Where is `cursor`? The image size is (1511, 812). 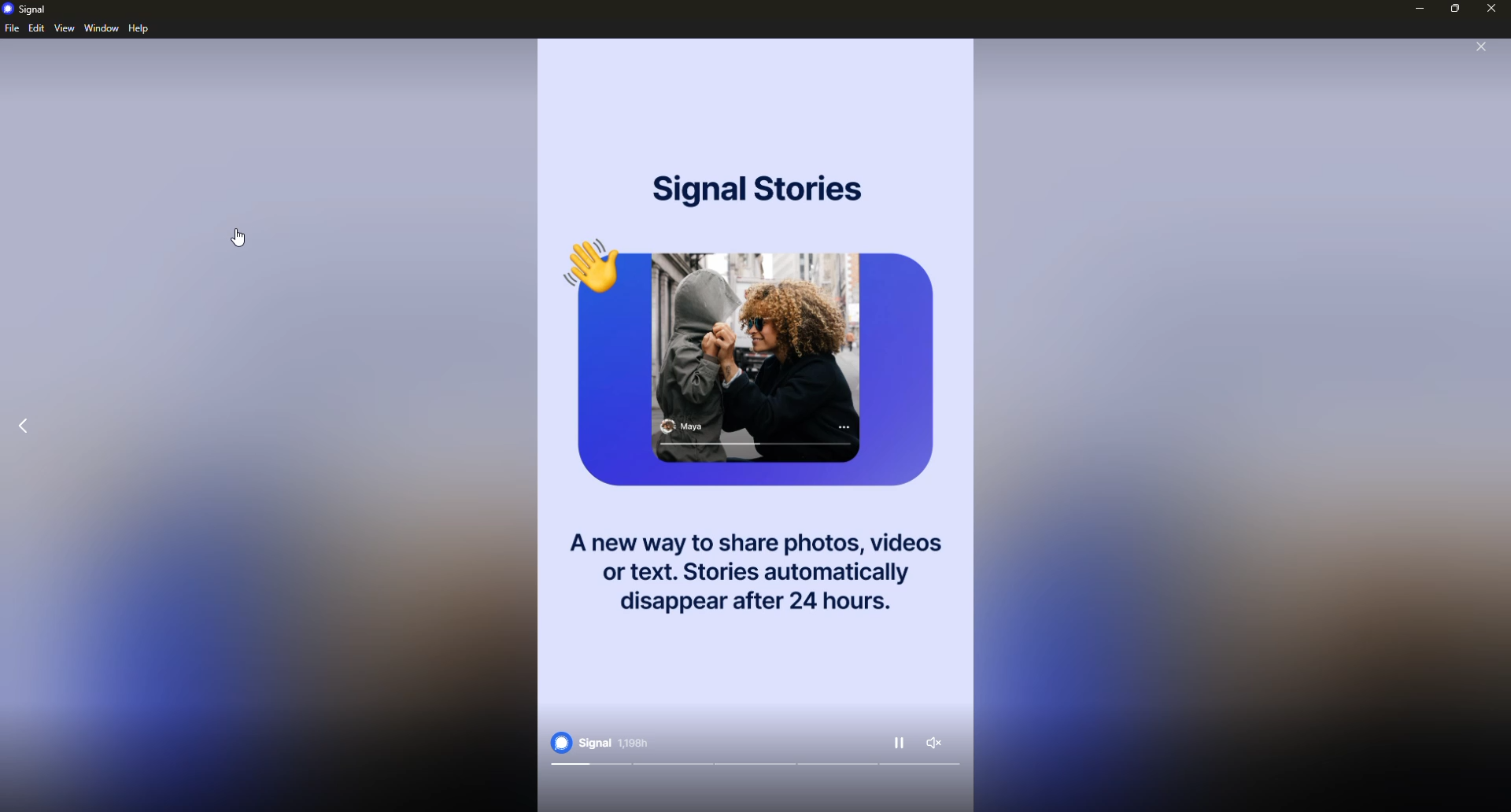
cursor is located at coordinates (239, 238).